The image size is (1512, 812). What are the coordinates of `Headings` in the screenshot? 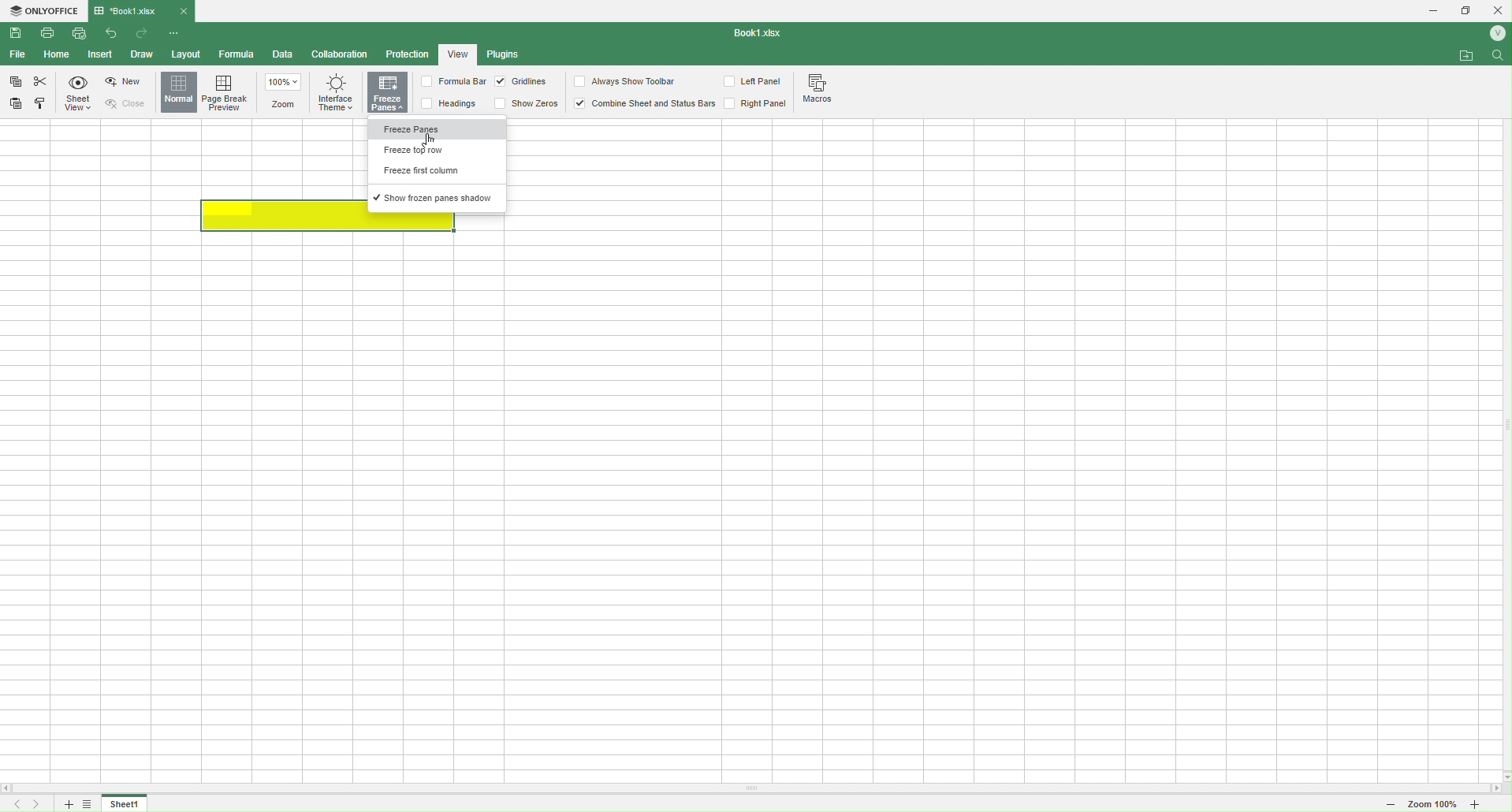 It's located at (454, 103).